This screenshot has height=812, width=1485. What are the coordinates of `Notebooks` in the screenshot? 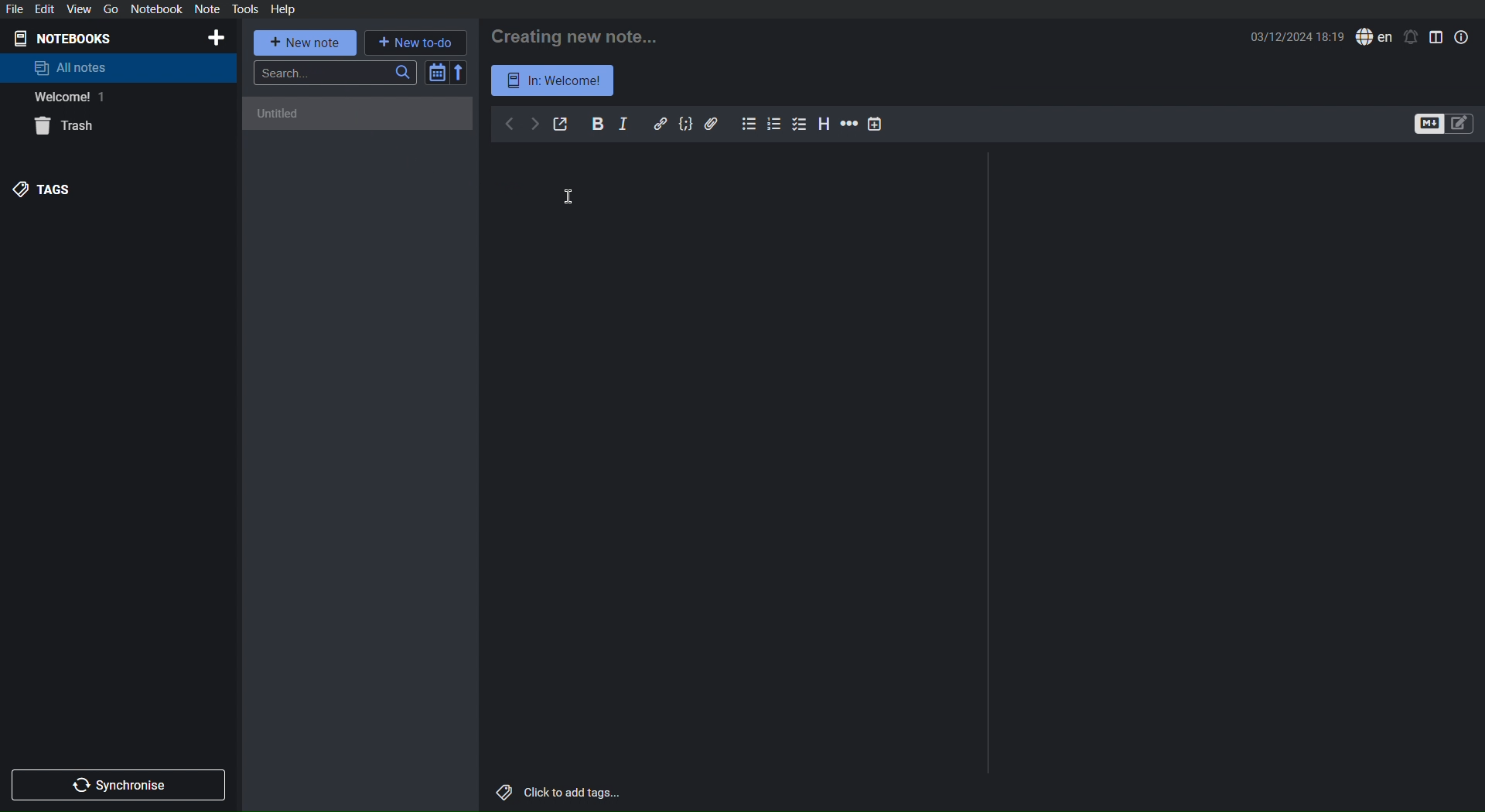 It's located at (70, 37).